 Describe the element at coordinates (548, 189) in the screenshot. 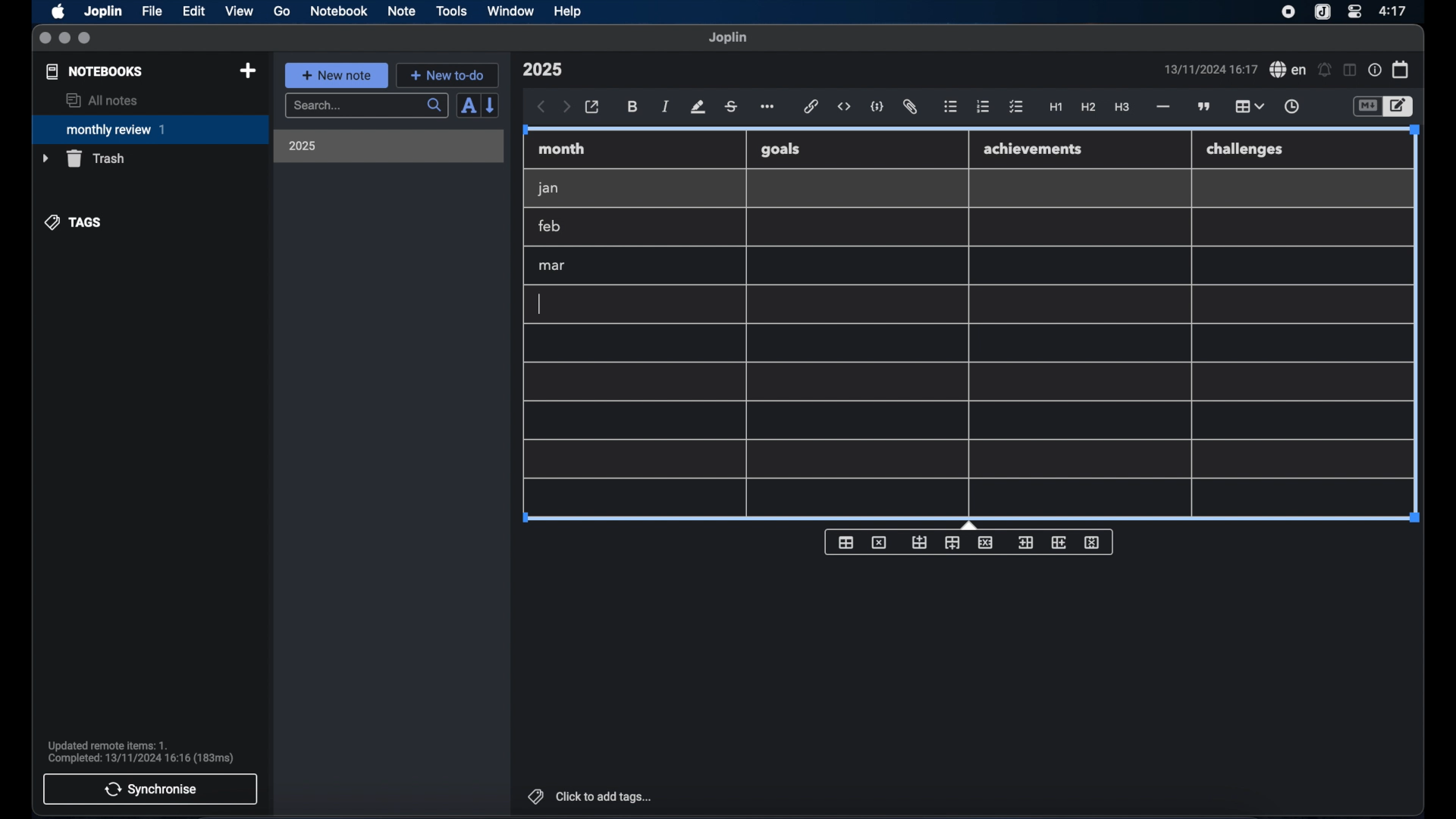

I see `jan` at that location.